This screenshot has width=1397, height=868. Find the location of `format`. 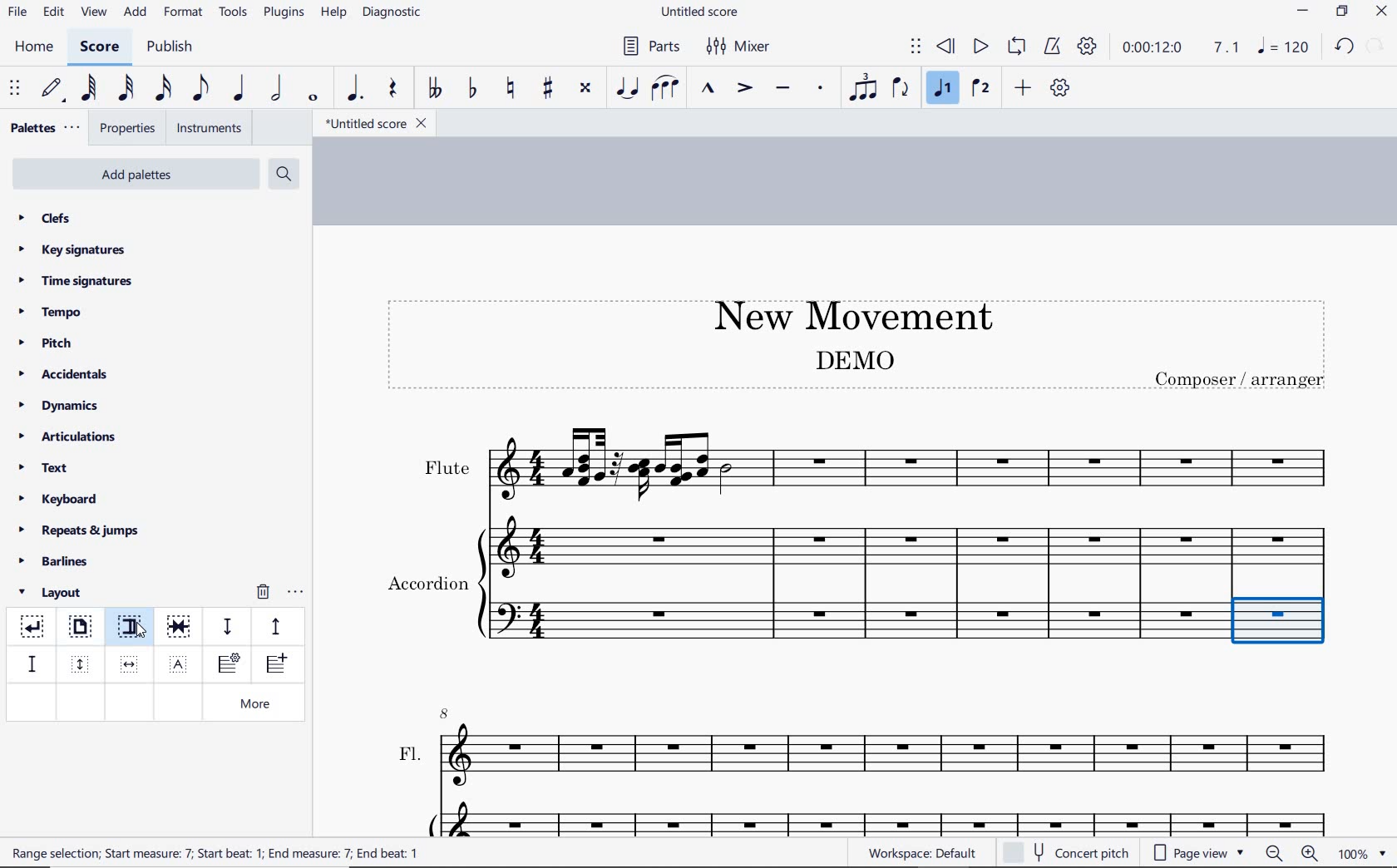

format is located at coordinates (185, 12).